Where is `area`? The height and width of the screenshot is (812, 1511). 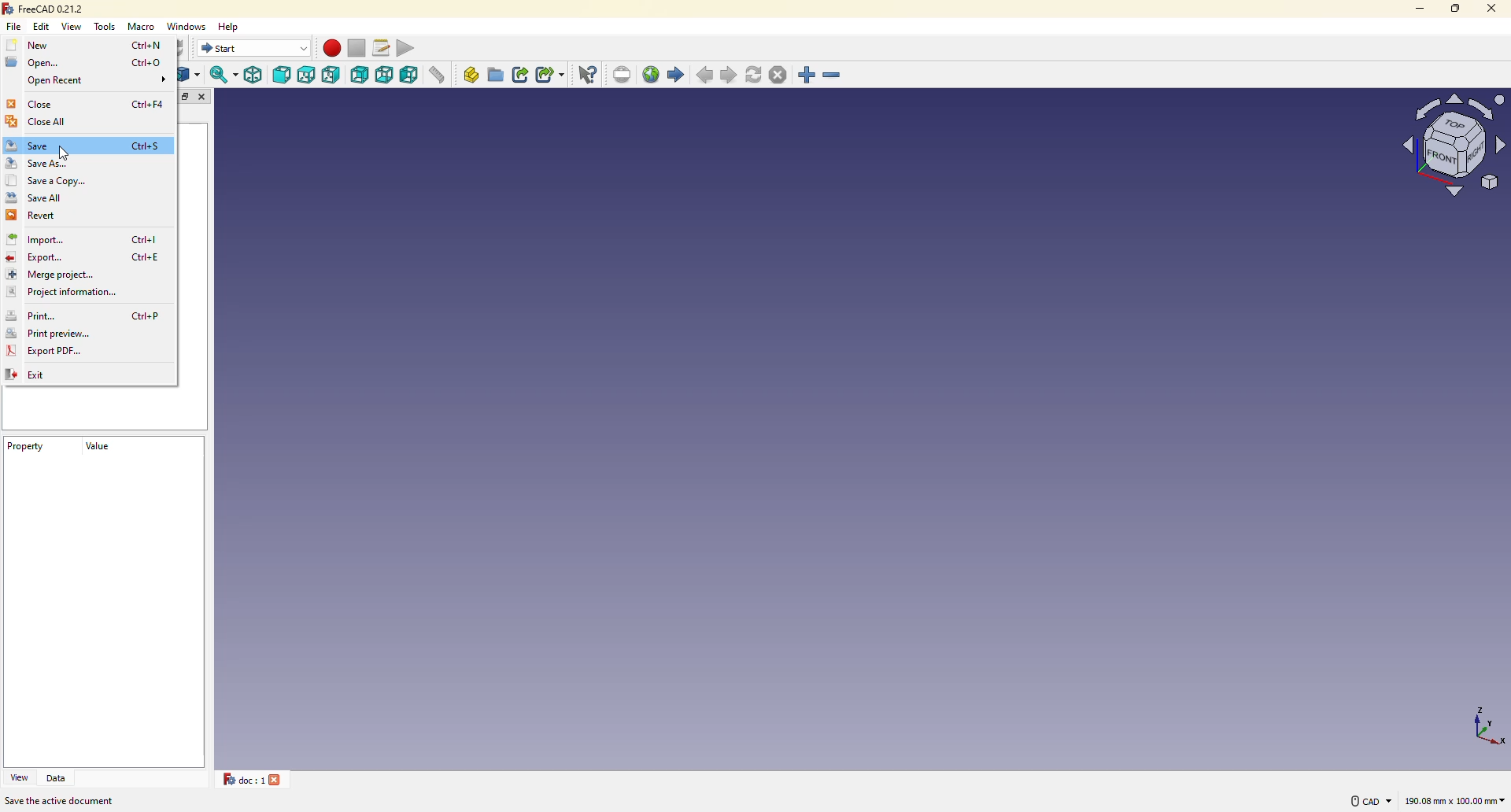 area is located at coordinates (1455, 802).